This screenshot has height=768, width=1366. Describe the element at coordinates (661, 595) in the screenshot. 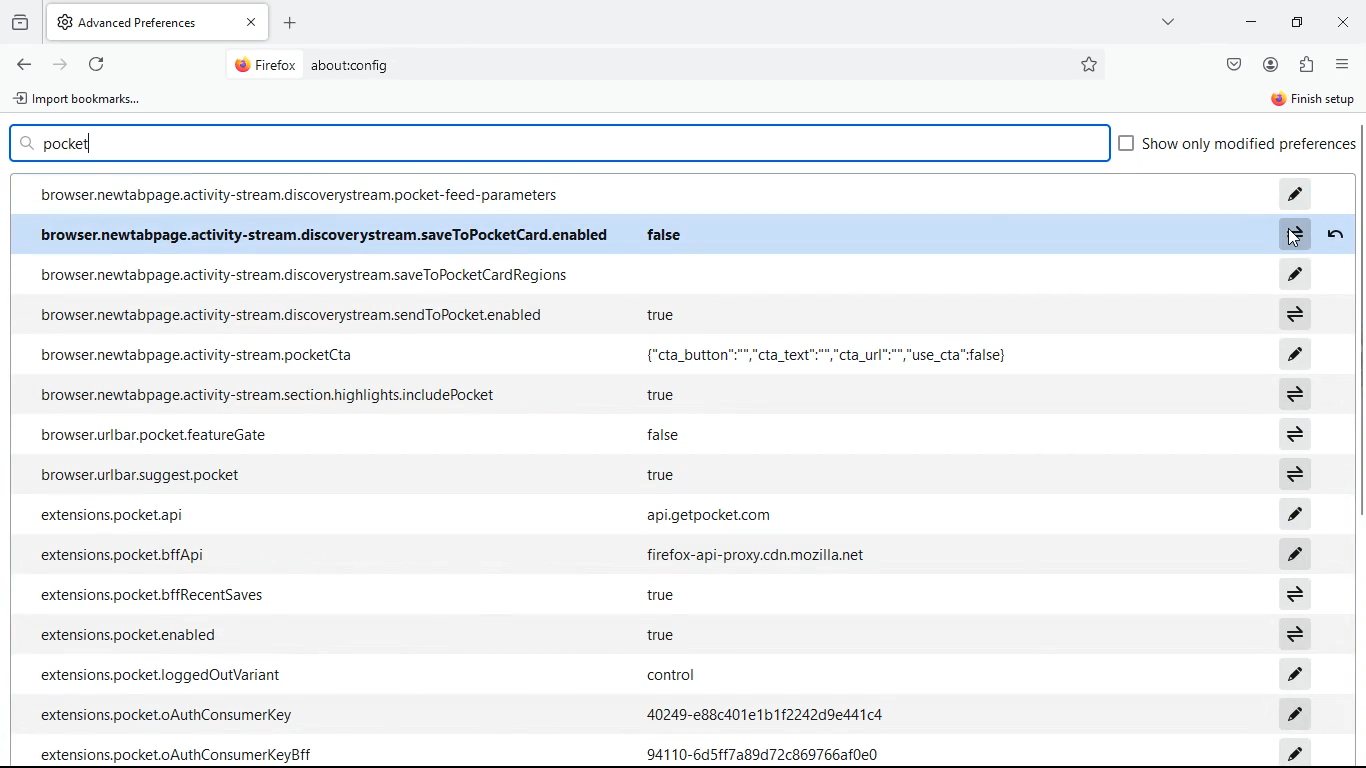

I see `true` at that location.